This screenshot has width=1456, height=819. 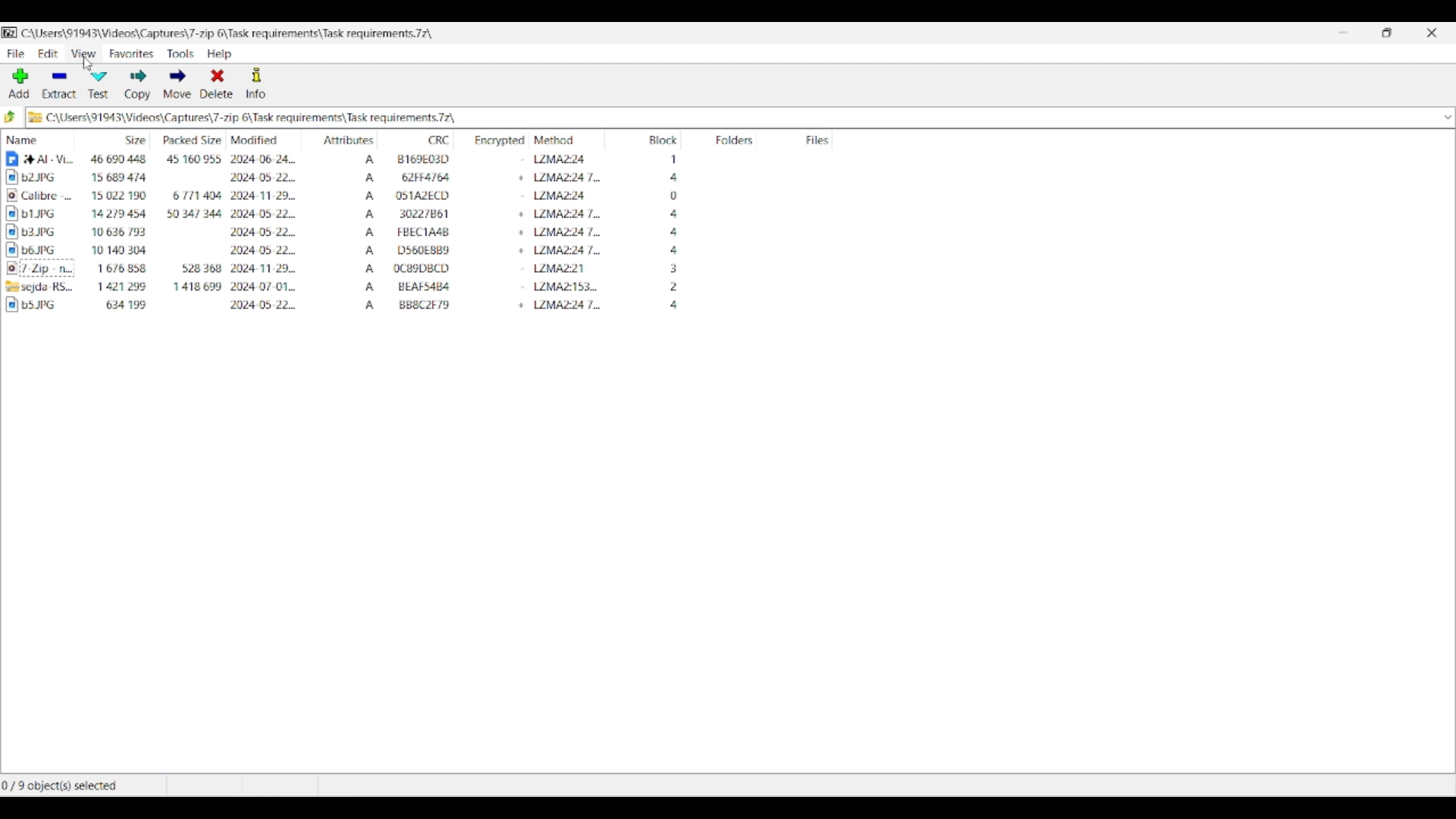 What do you see at coordinates (808, 140) in the screenshot?
I see `Files column` at bounding box center [808, 140].